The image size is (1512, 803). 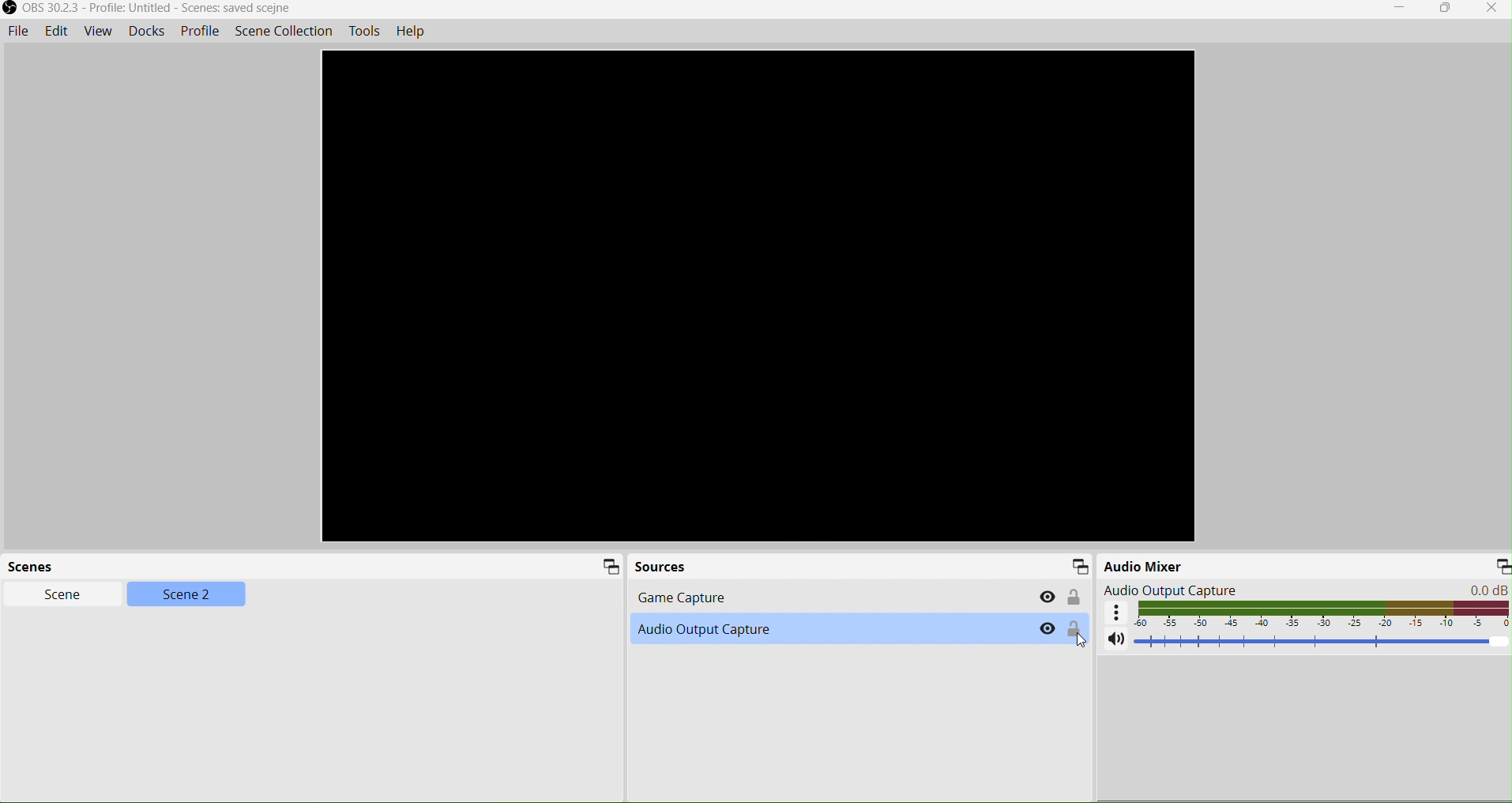 What do you see at coordinates (607, 566) in the screenshot?
I see `Scene icon` at bounding box center [607, 566].